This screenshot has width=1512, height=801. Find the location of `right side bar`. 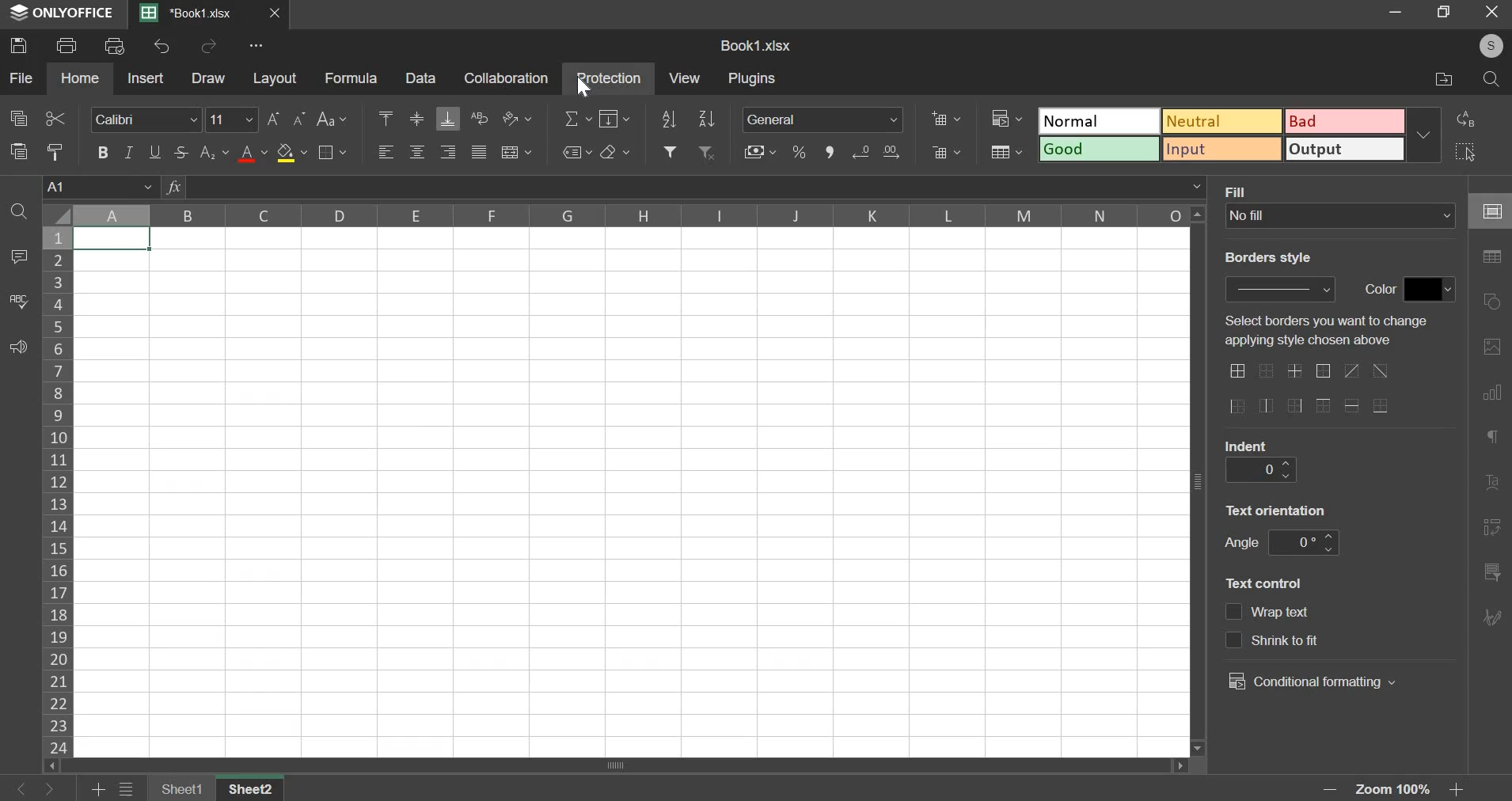

right side bar is located at coordinates (1494, 257).